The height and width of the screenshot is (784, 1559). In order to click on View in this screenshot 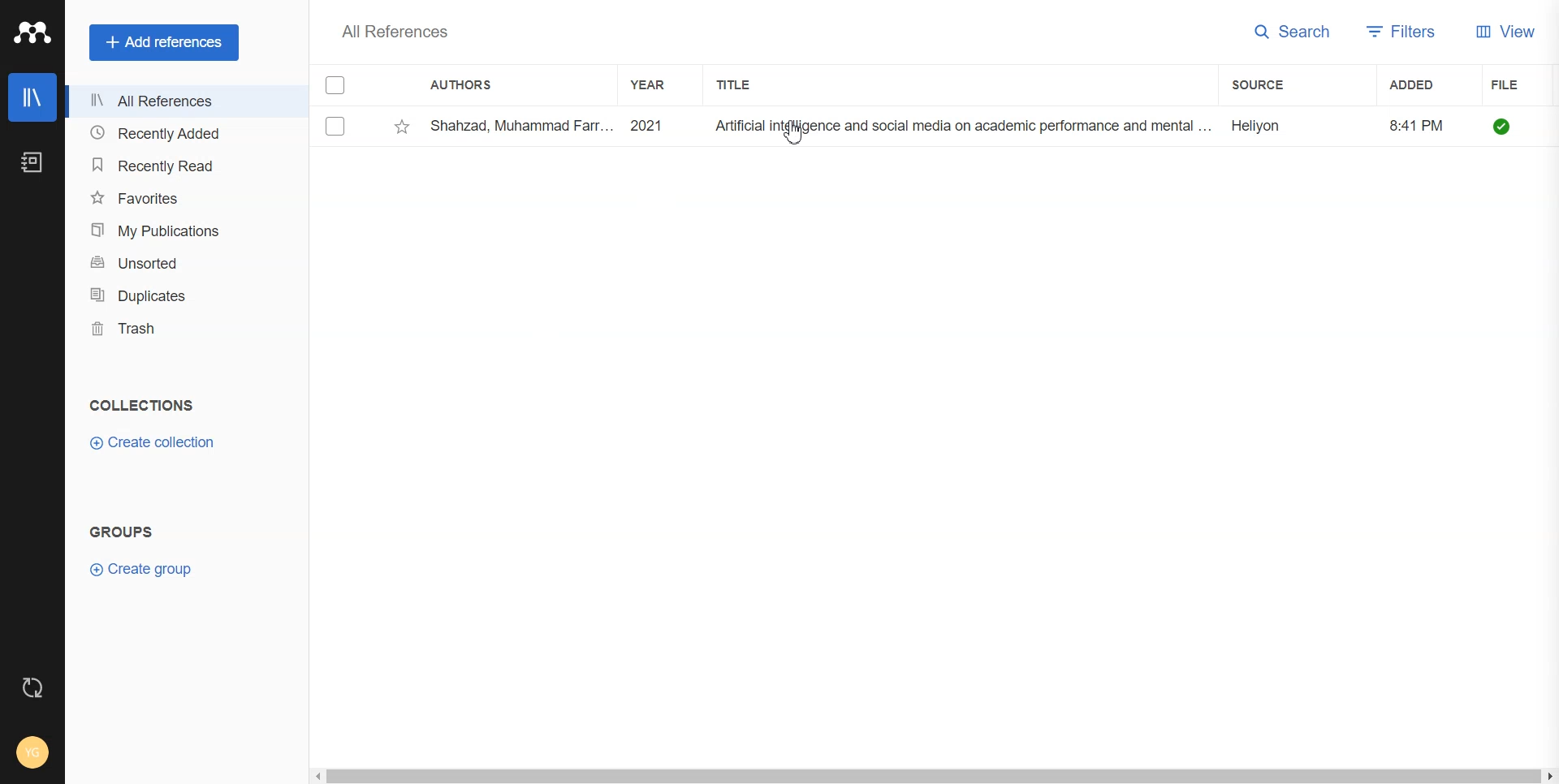, I will do `click(1508, 31)`.